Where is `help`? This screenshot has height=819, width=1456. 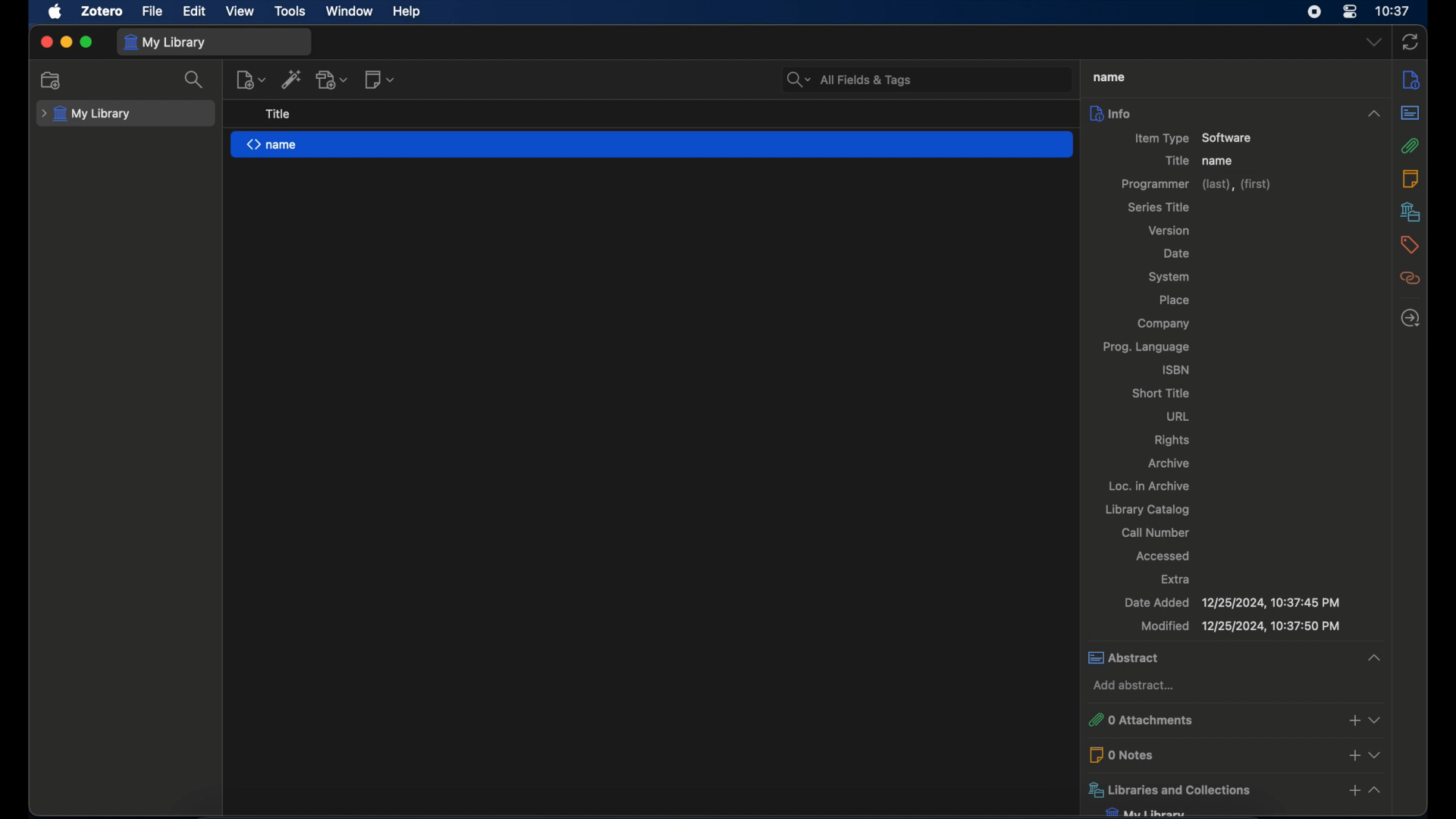
help is located at coordinates (406, 12).